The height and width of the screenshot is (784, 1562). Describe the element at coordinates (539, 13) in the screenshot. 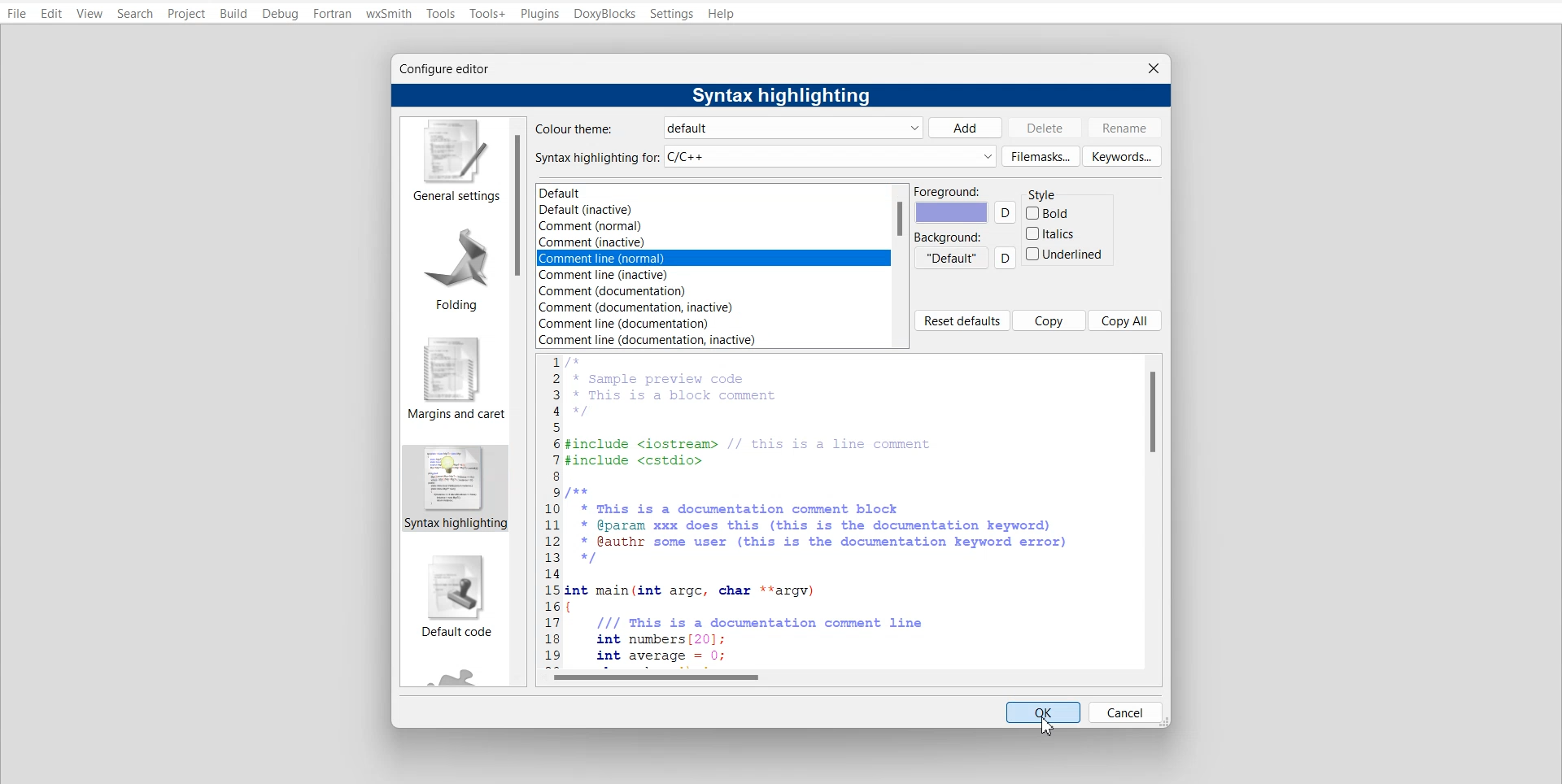

I see `Plugins` at that location.